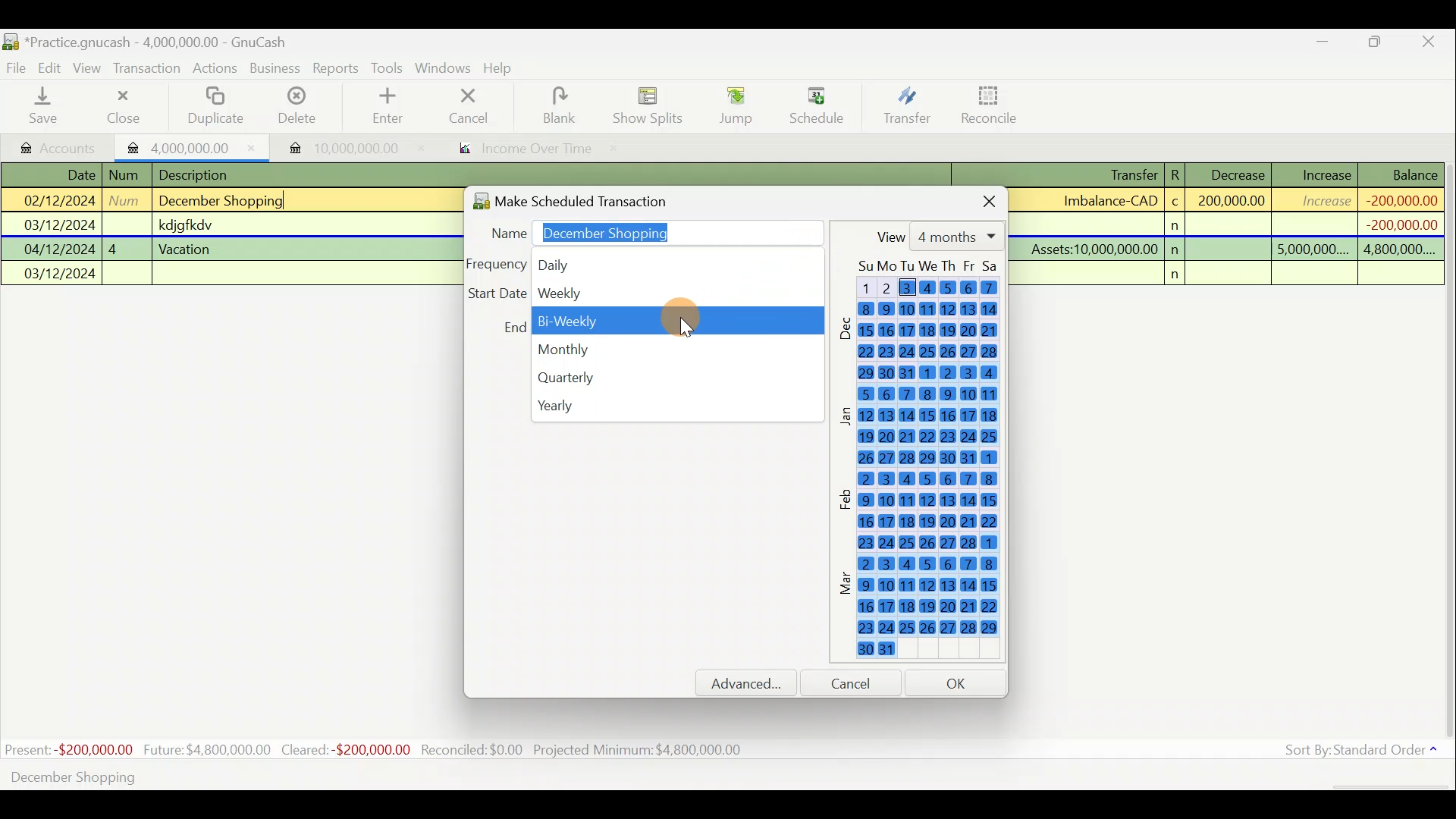  I want to click on Help, so click(504, 68).